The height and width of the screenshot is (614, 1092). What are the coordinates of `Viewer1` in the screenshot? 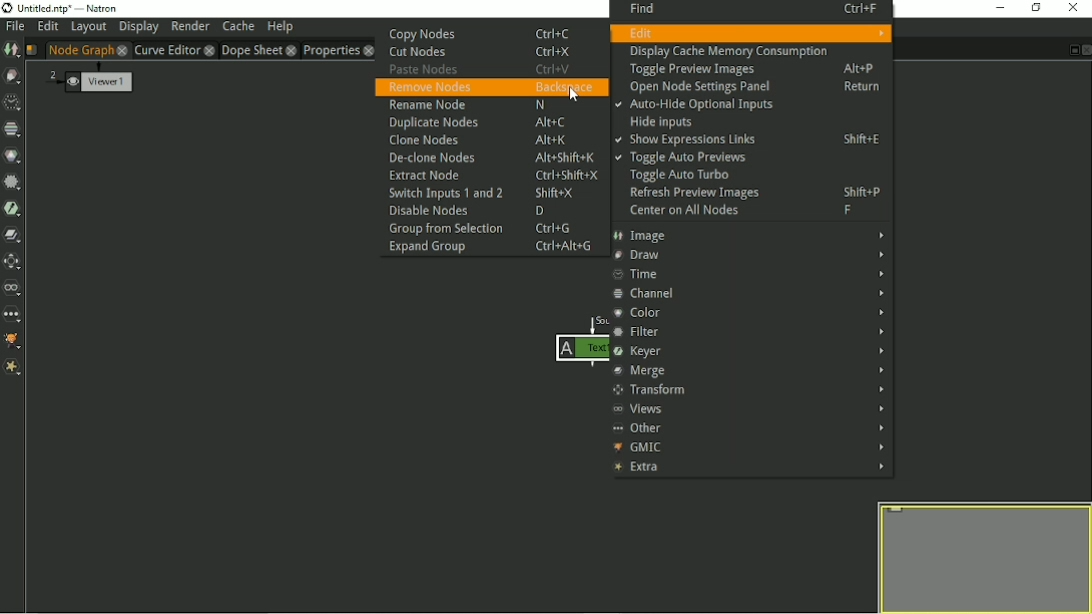 It's located at (88, 79).